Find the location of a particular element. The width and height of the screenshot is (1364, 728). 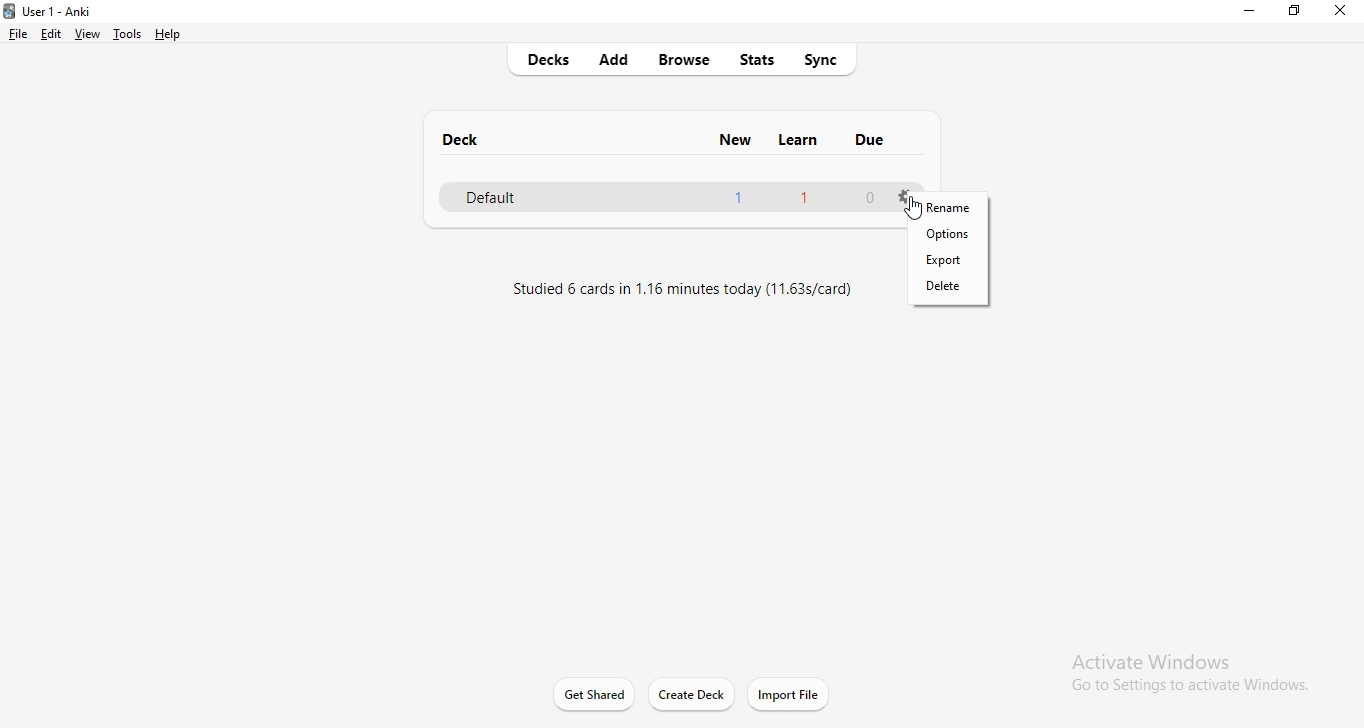

learn is located at coordinates (797, 142).